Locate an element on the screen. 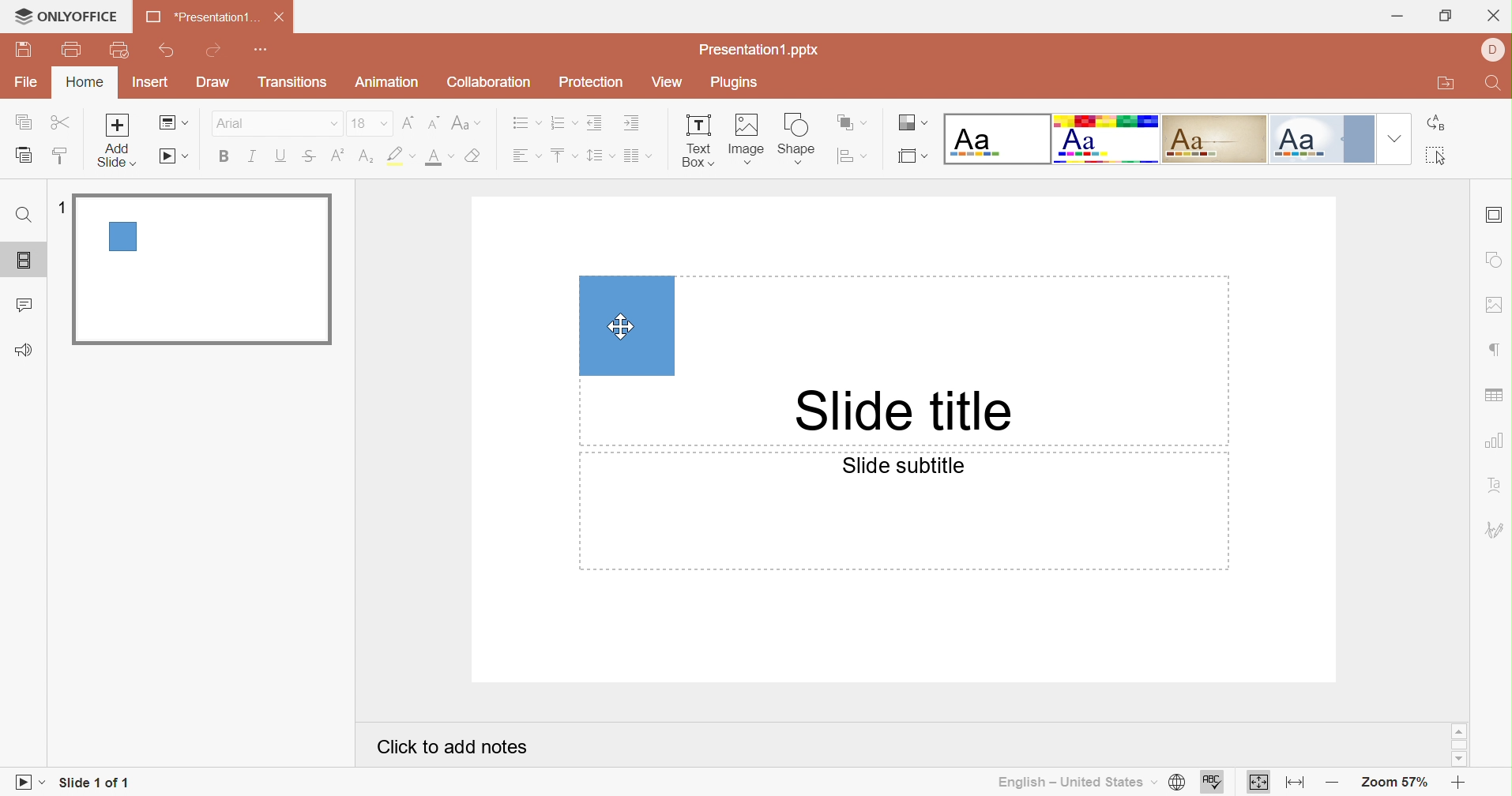 Image resolution: width=1512 pixels, height=796 pixels. Click to add notes is located at coordinates (452, 747).